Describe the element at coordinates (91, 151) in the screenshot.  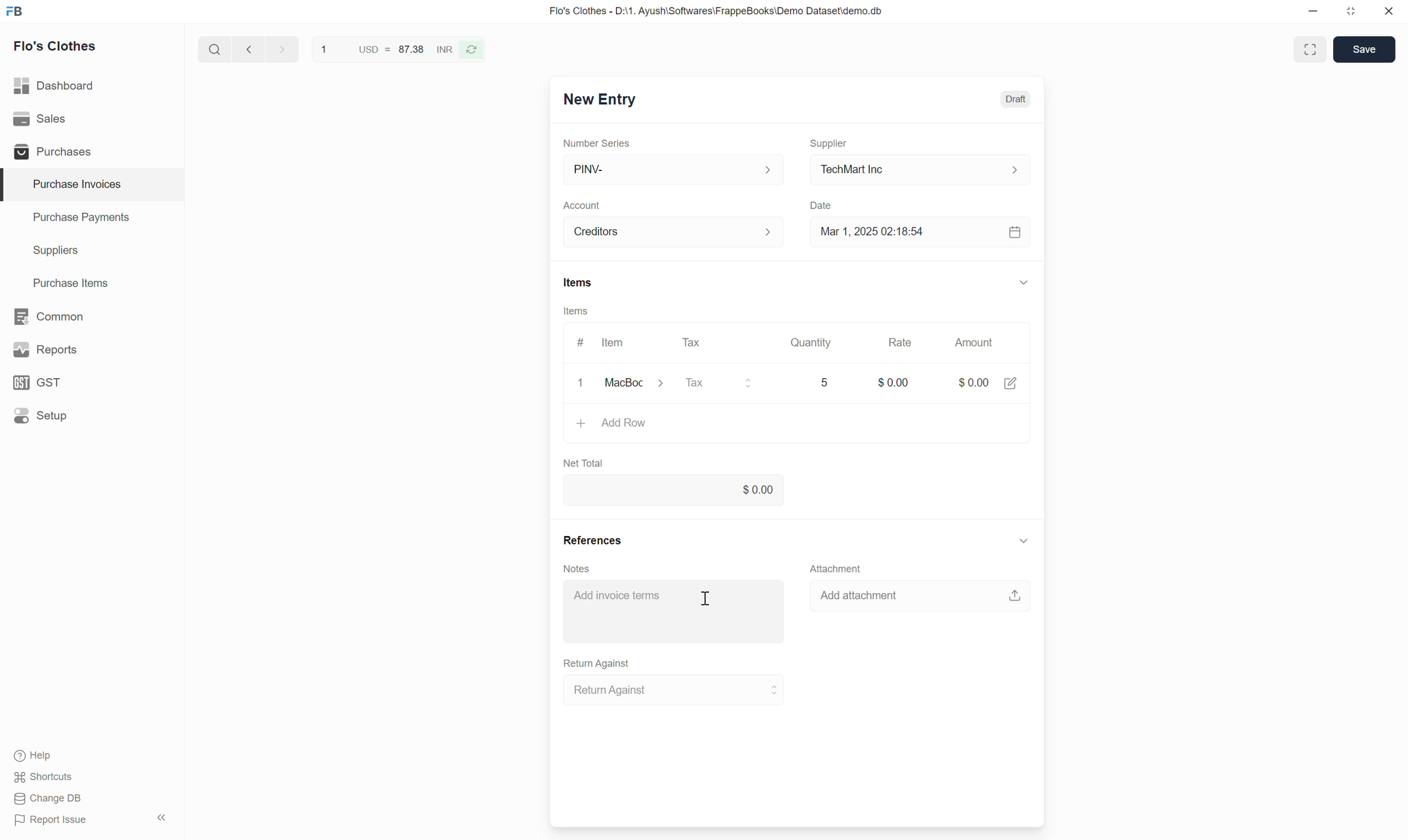
I see `Purchases` at that location.